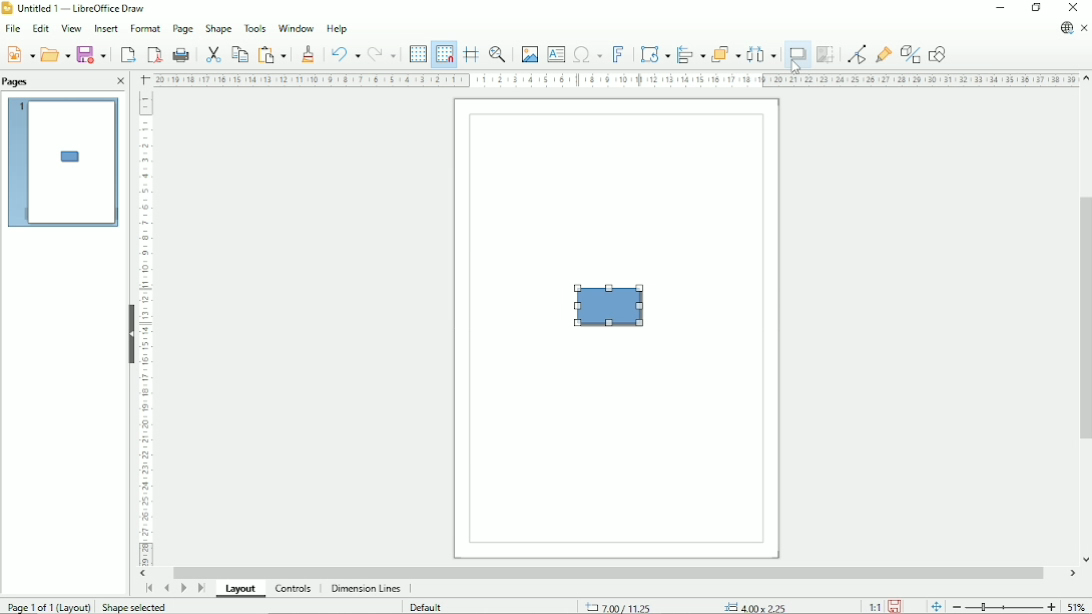 This screenshot has width=1092, height=614. I want to click on Show draw functions, so click(938, 53).